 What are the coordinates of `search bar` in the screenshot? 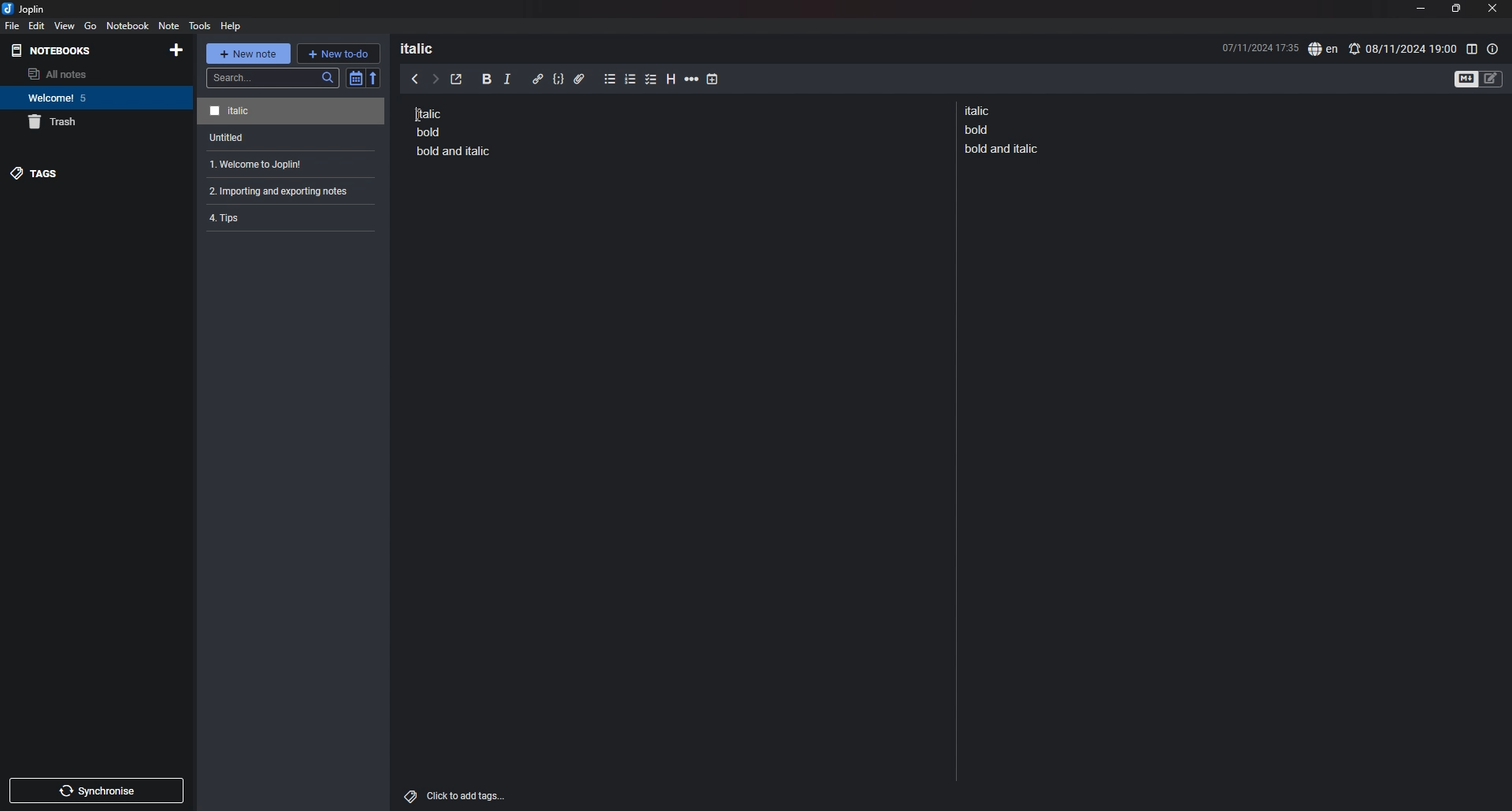 It's located at (273, 78).